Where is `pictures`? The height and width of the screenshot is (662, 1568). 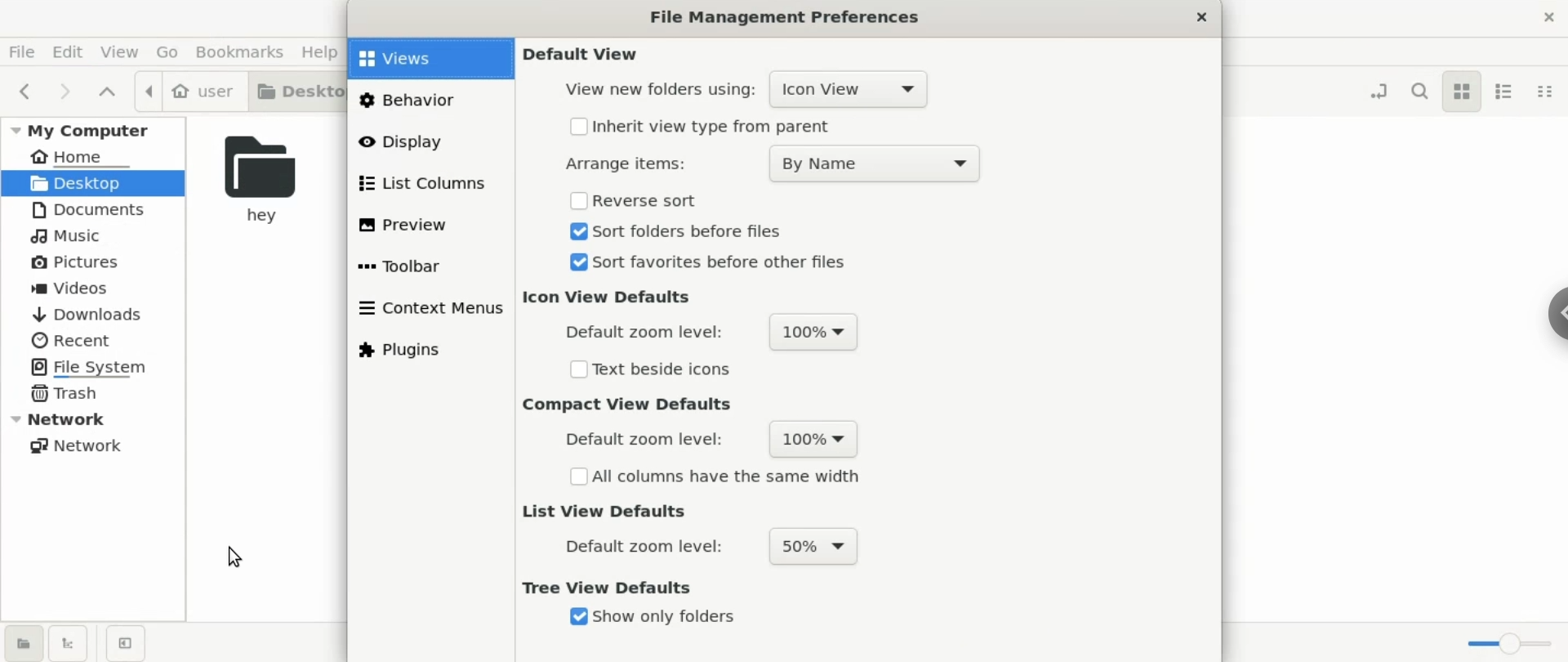 pictures is located at coordinates (77, 260).